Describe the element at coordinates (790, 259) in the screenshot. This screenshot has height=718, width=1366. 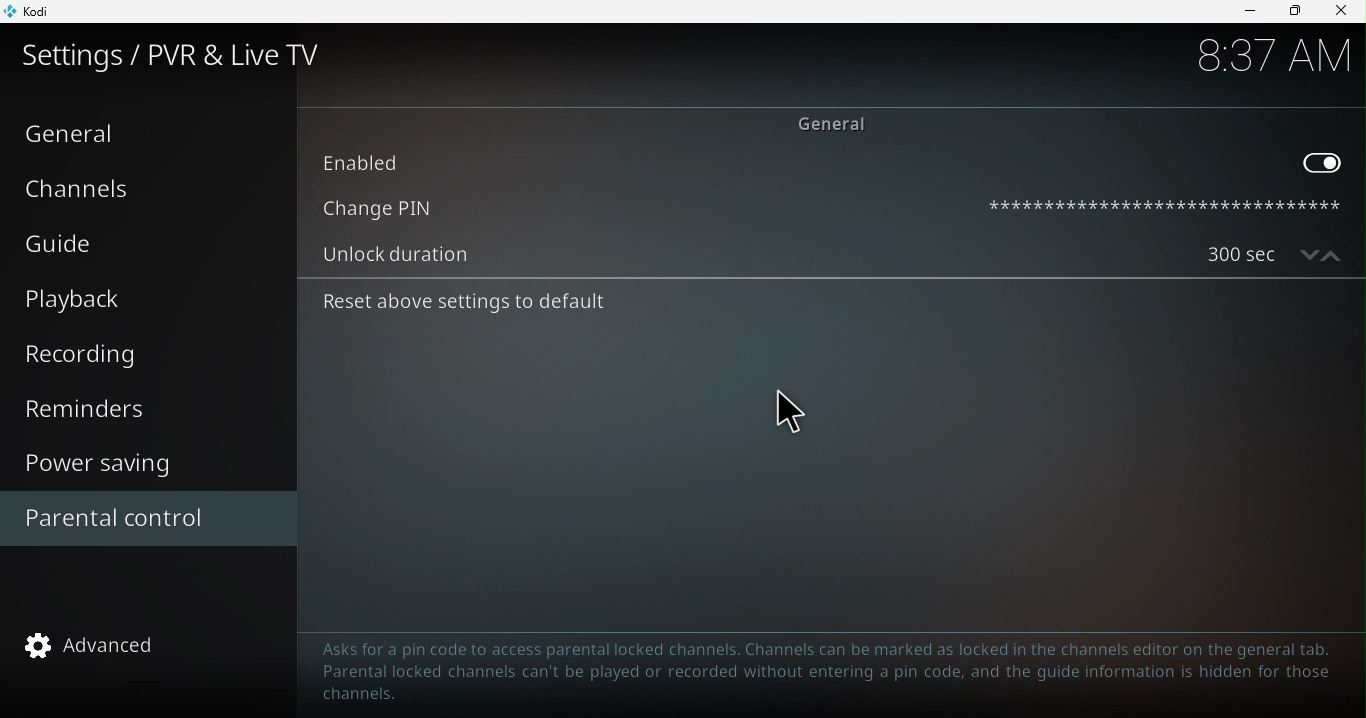
I see `Unlock duration` at that location.